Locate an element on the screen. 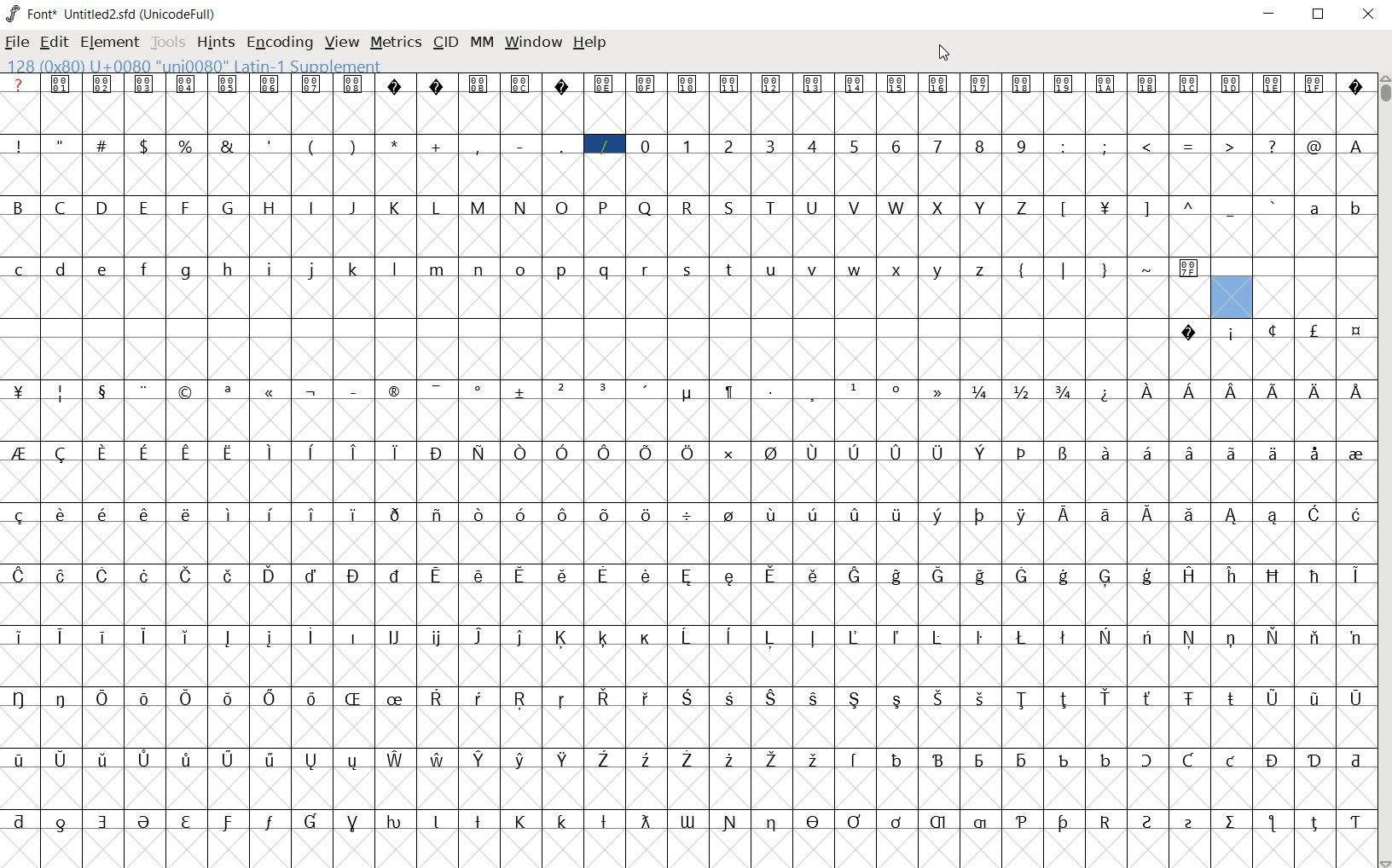  glyph is located at coordinates (312, 576).